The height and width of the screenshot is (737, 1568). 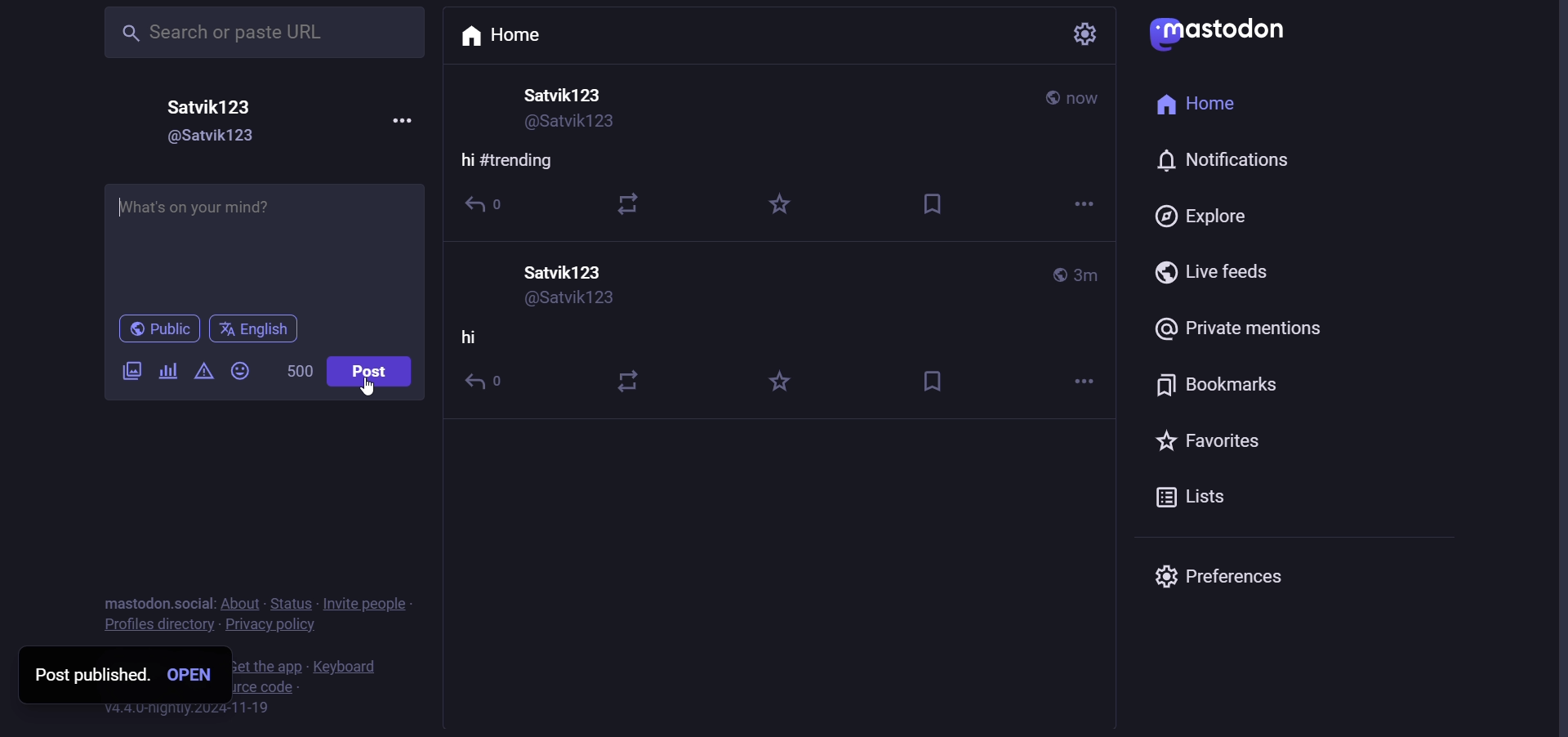 I want to click on public, so click(x=156, y=329).